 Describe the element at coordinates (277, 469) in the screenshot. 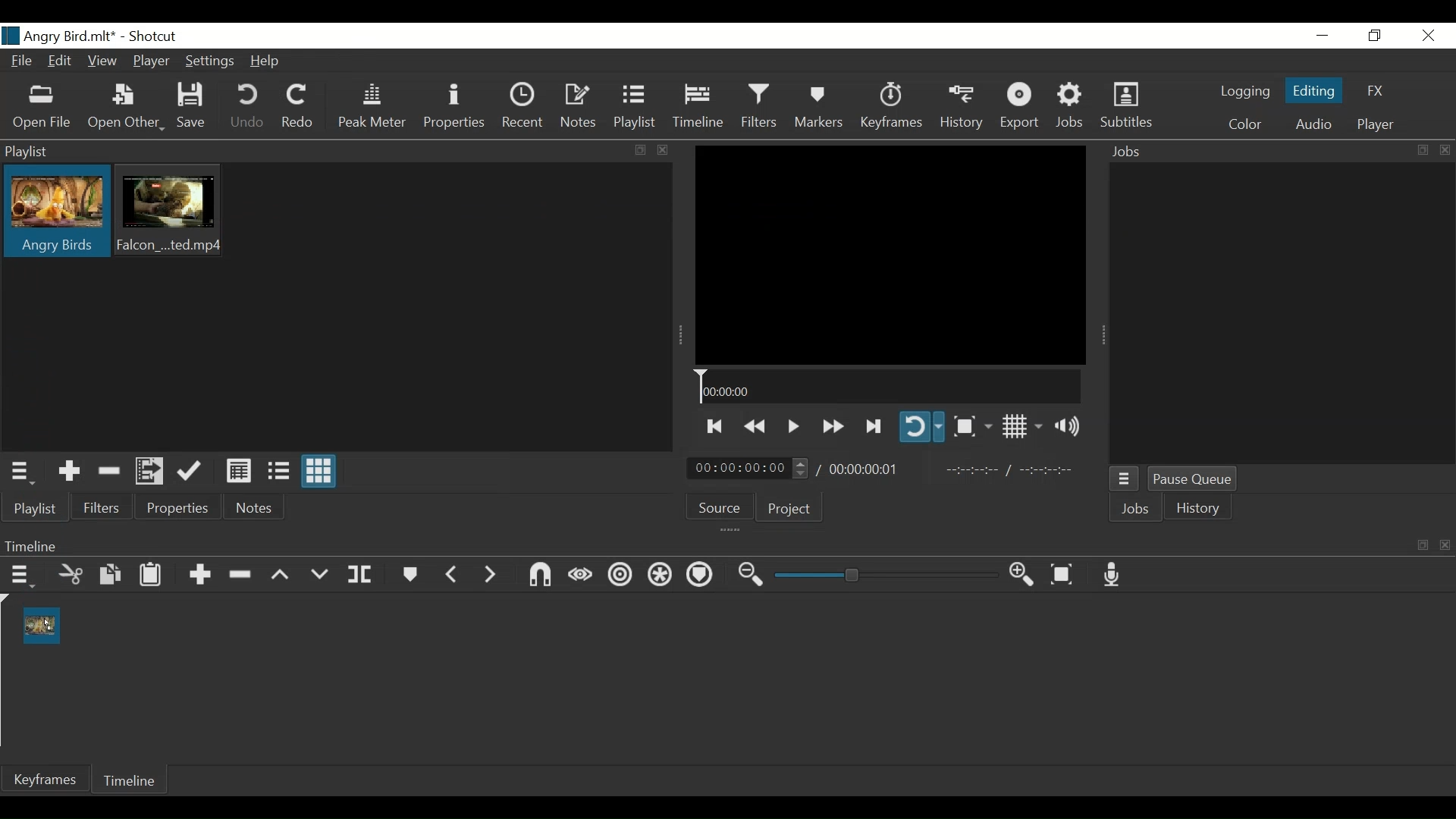

I see `View as files` at that location.